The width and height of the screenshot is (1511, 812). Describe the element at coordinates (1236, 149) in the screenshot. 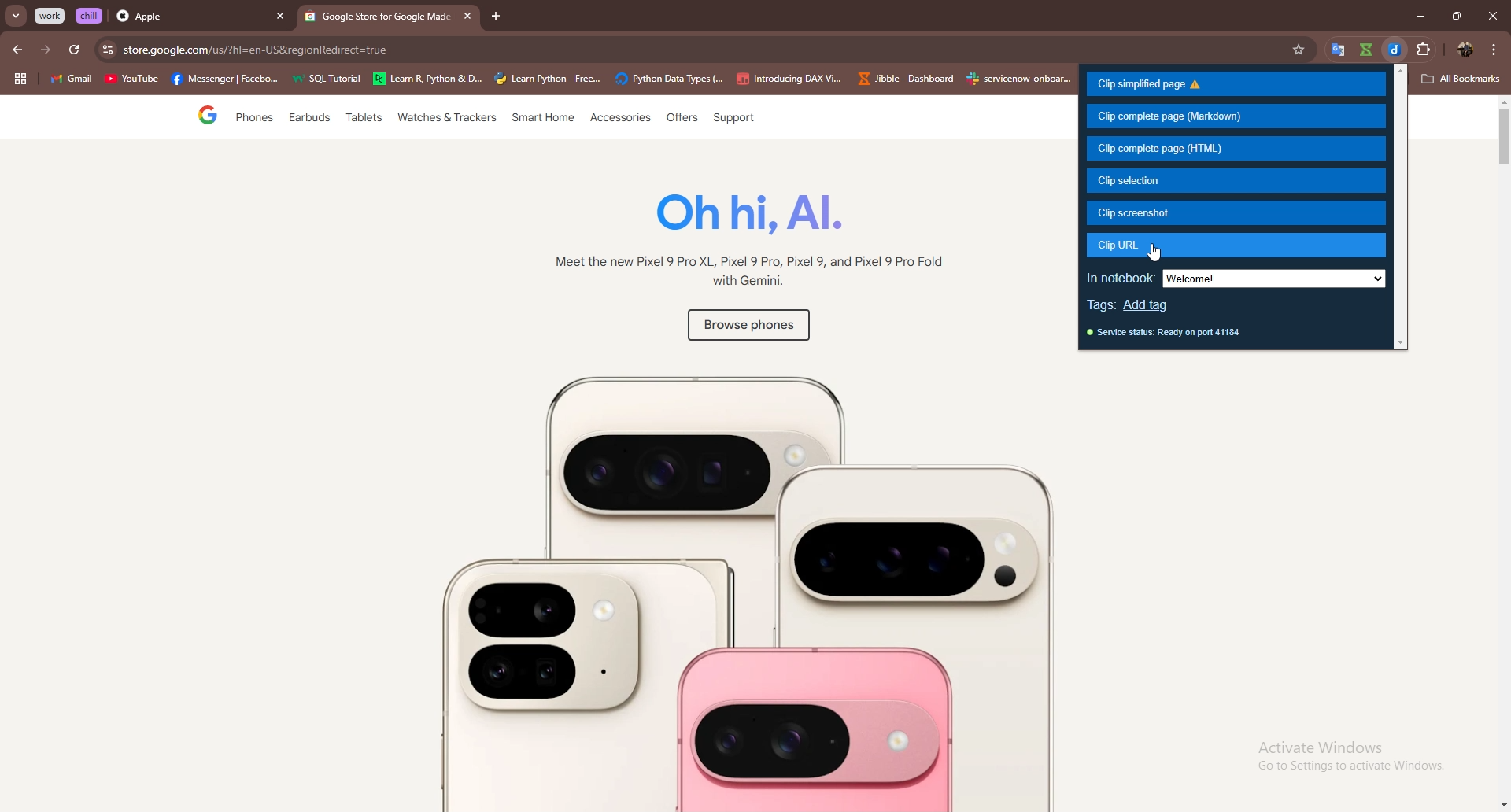

I see `clip complete page (html)` at that location.